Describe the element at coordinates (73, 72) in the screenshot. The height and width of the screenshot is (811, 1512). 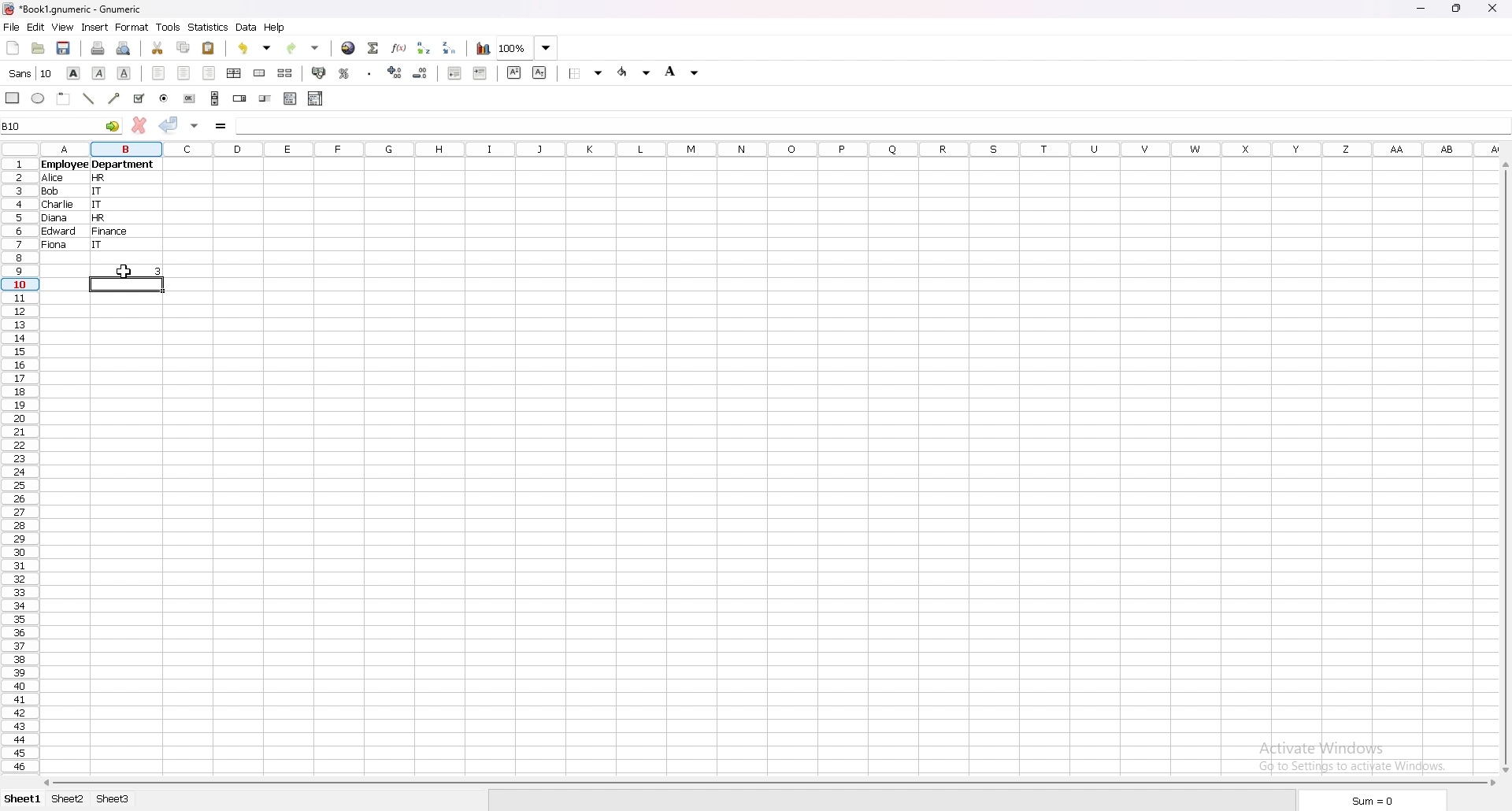
I see `bold` at that location.